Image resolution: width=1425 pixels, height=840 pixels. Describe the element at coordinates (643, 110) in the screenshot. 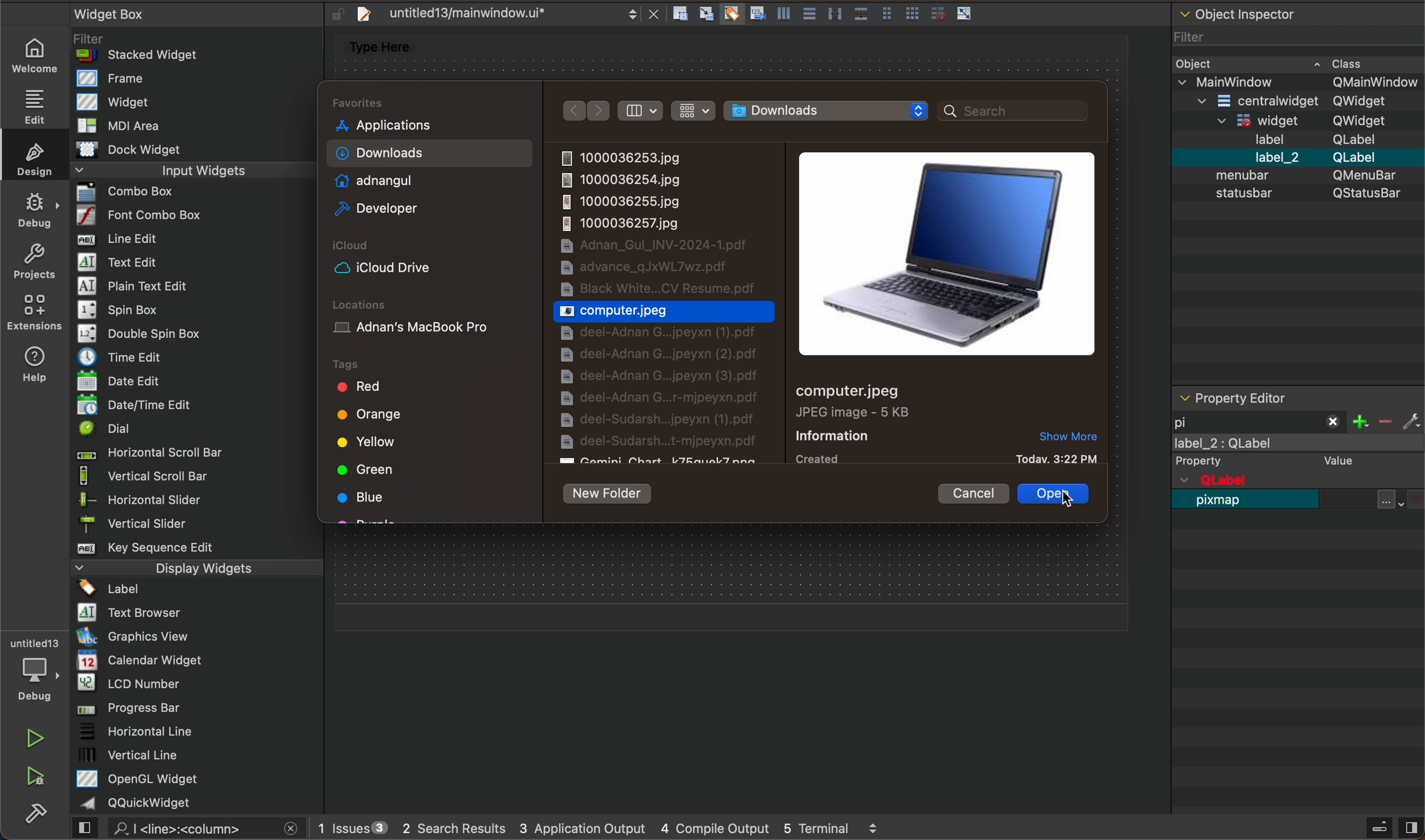

I see `sort` at that location.